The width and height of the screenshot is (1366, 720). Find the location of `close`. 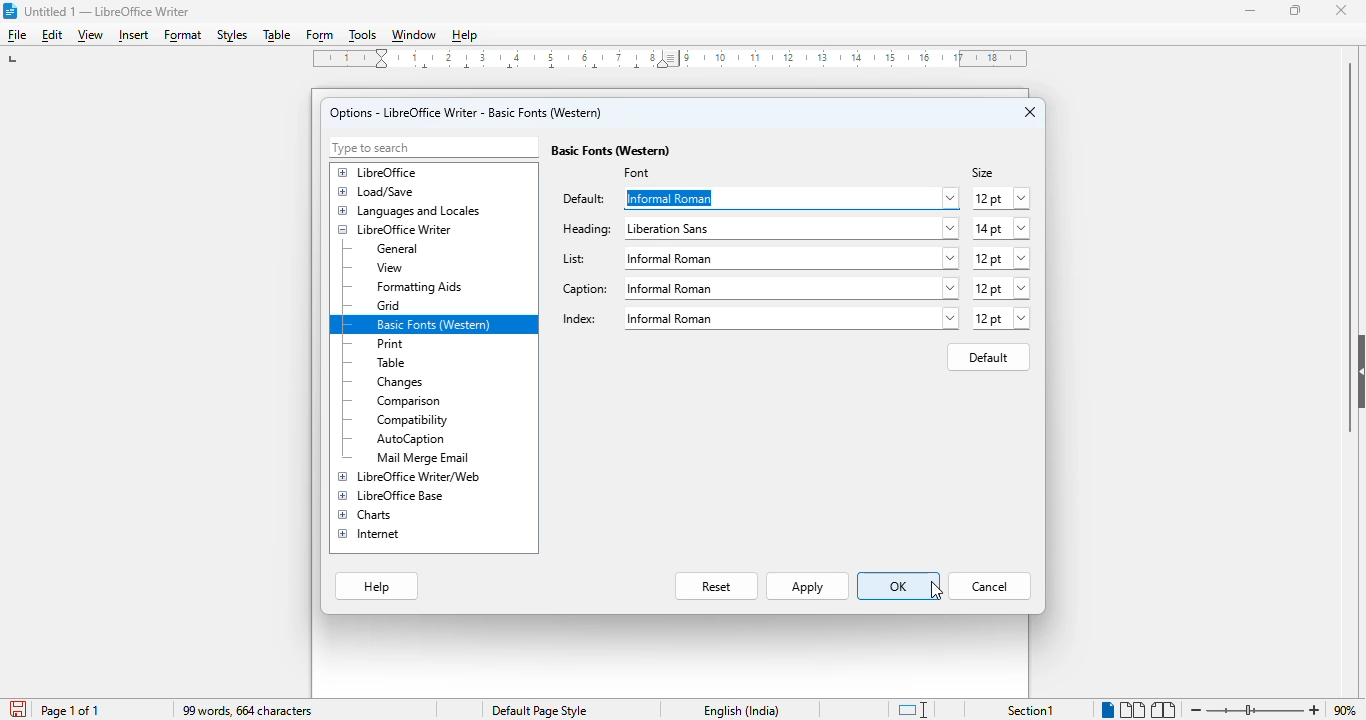

close is located at coordinates (1030, 113).